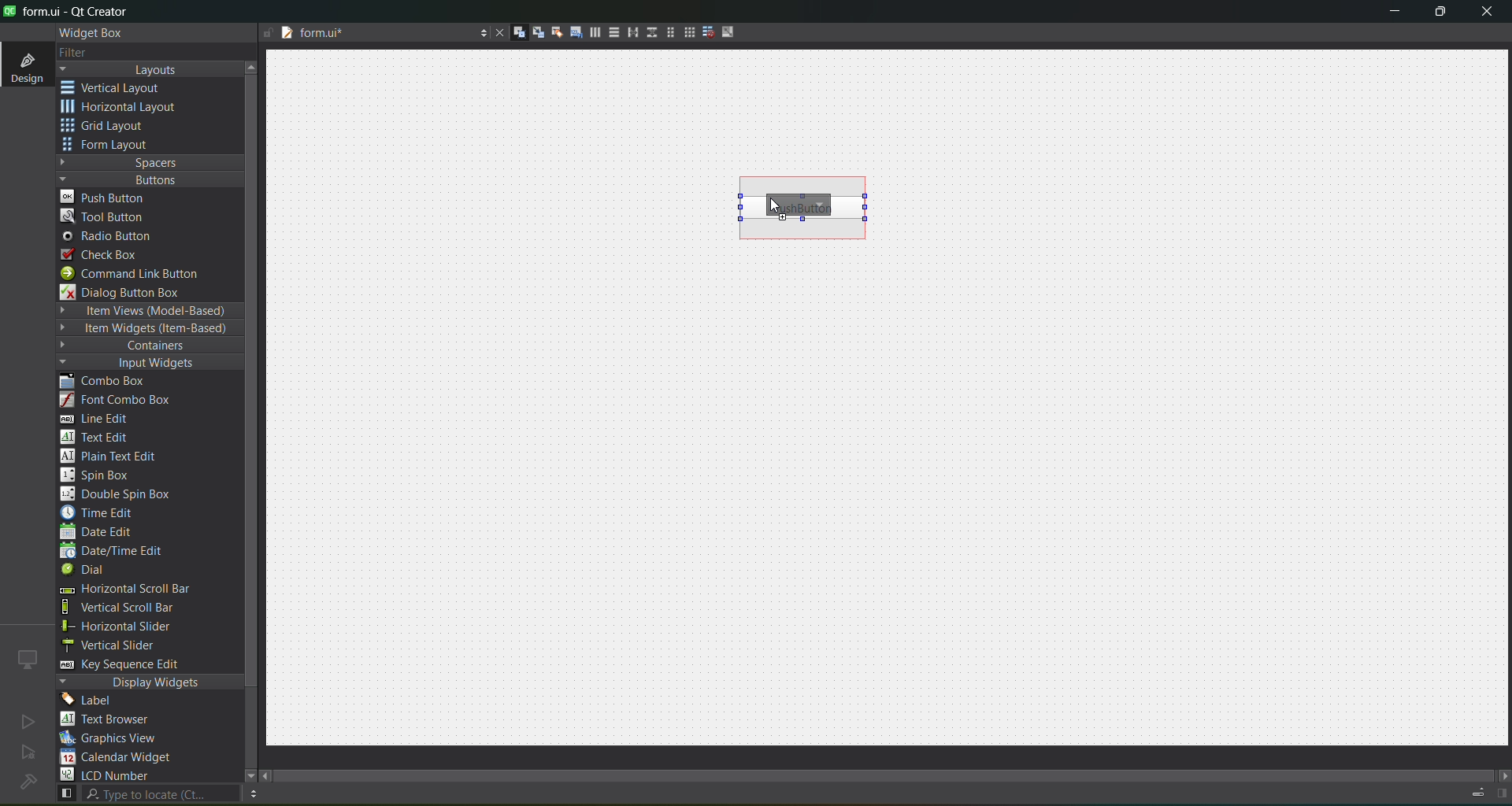 The width and height of the screenshot is (1512, 806). What do you see at coordinates (91, 701) in the screenshot?
I see `label` at bounding box center [91, 701].